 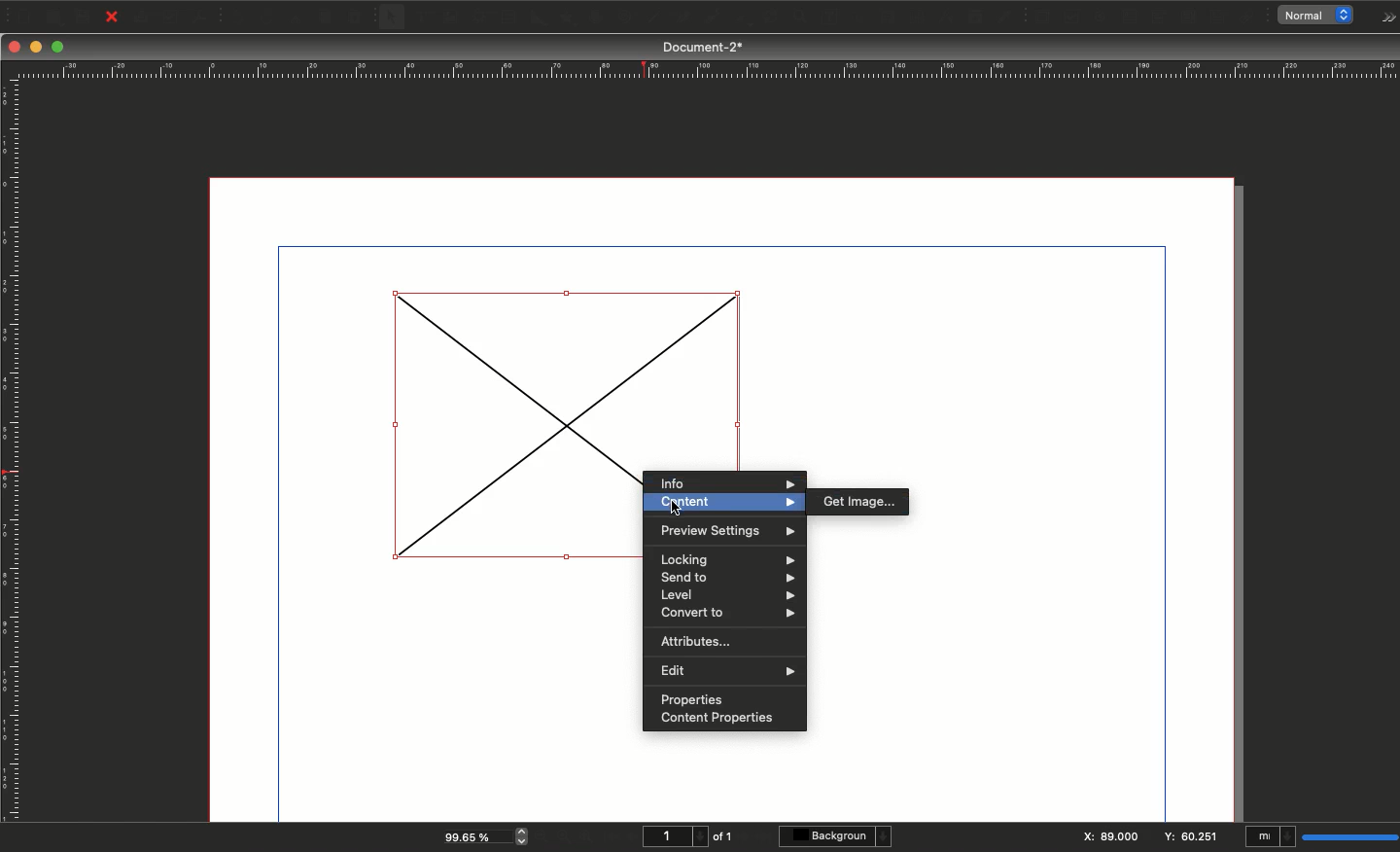 I want to click on Options, so click(x=1384, y=18).